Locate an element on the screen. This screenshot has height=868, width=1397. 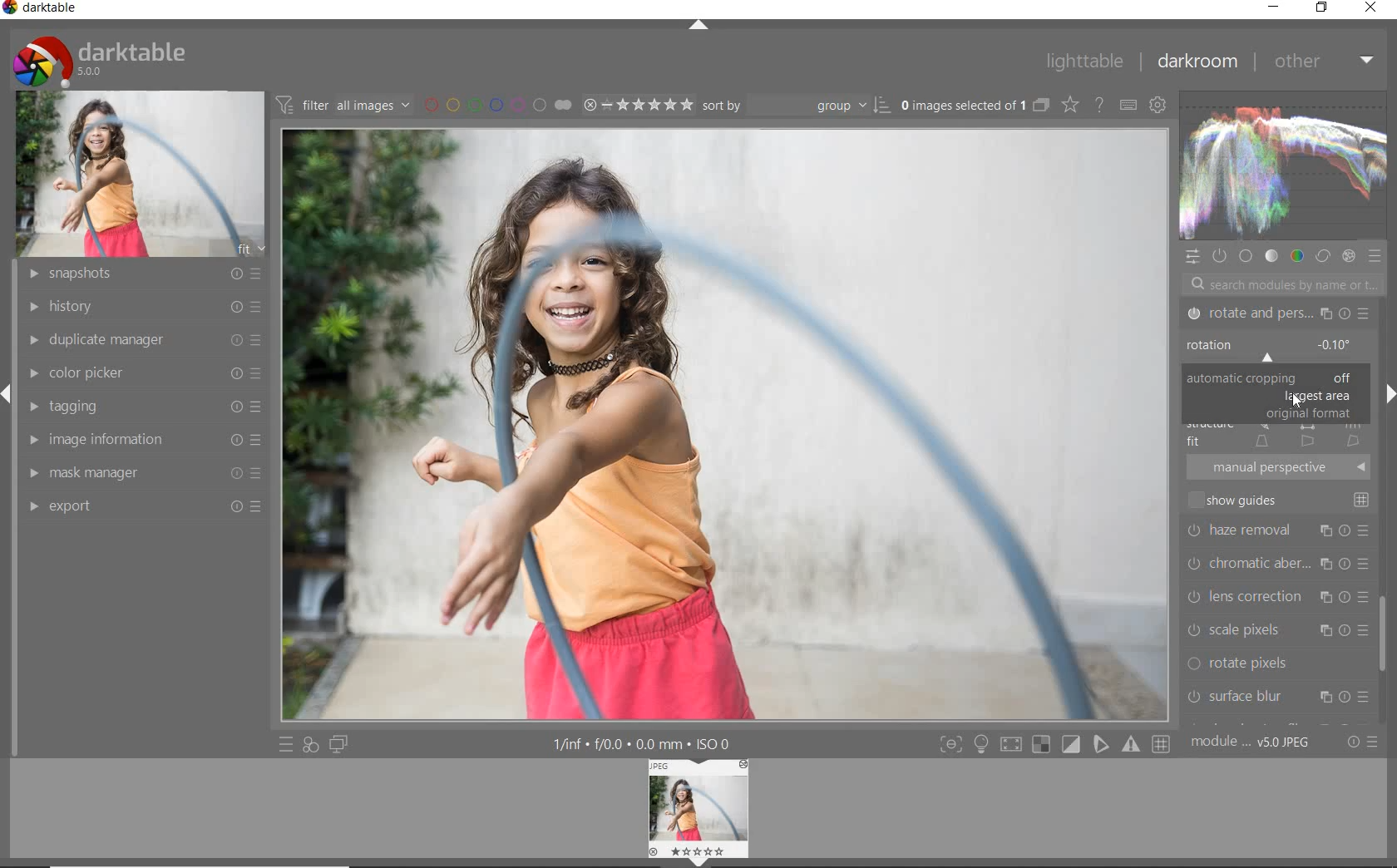
search modules is located at coordinates (1277, 286).